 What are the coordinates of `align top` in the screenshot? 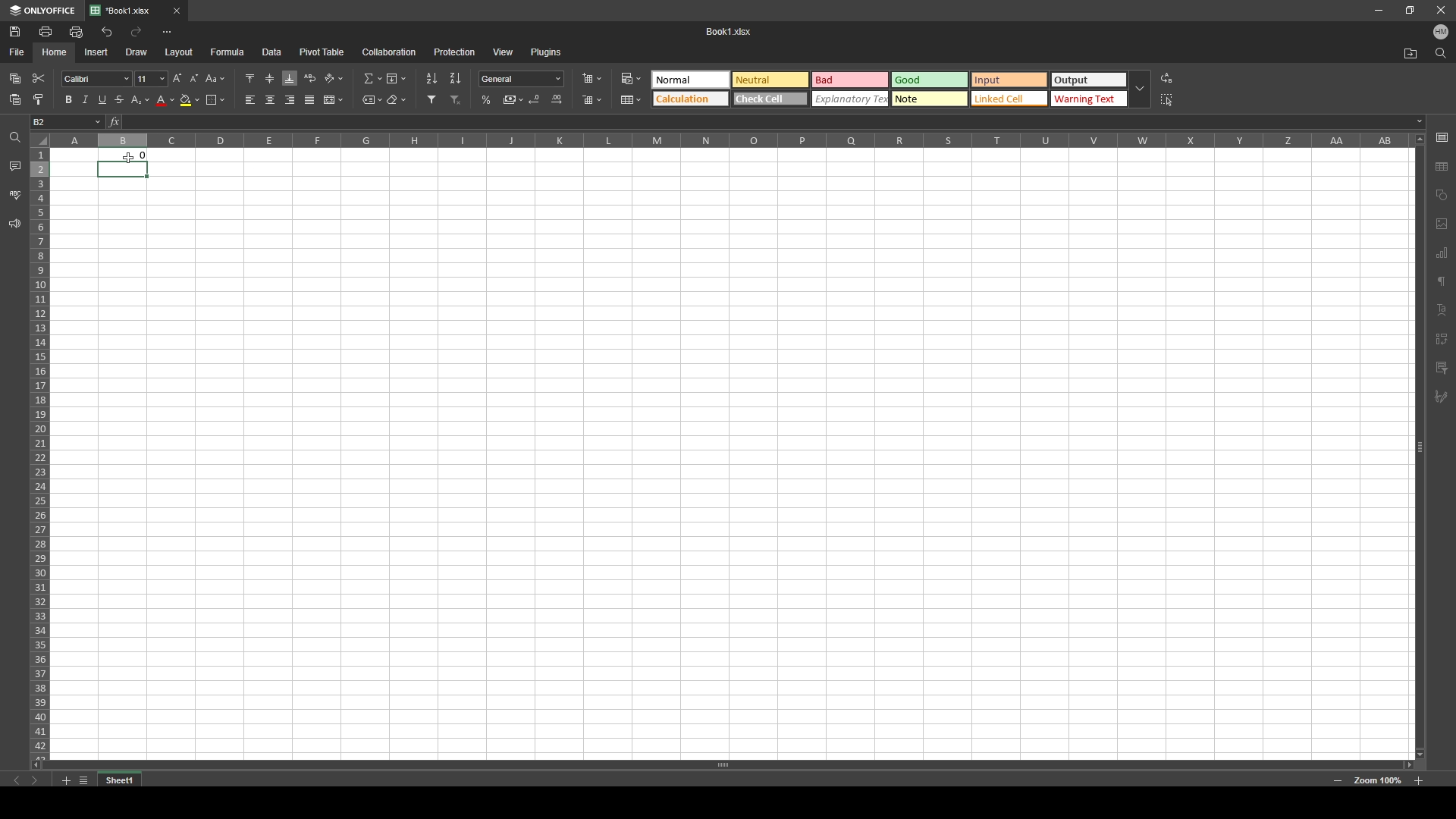 It's located at (249, 77).